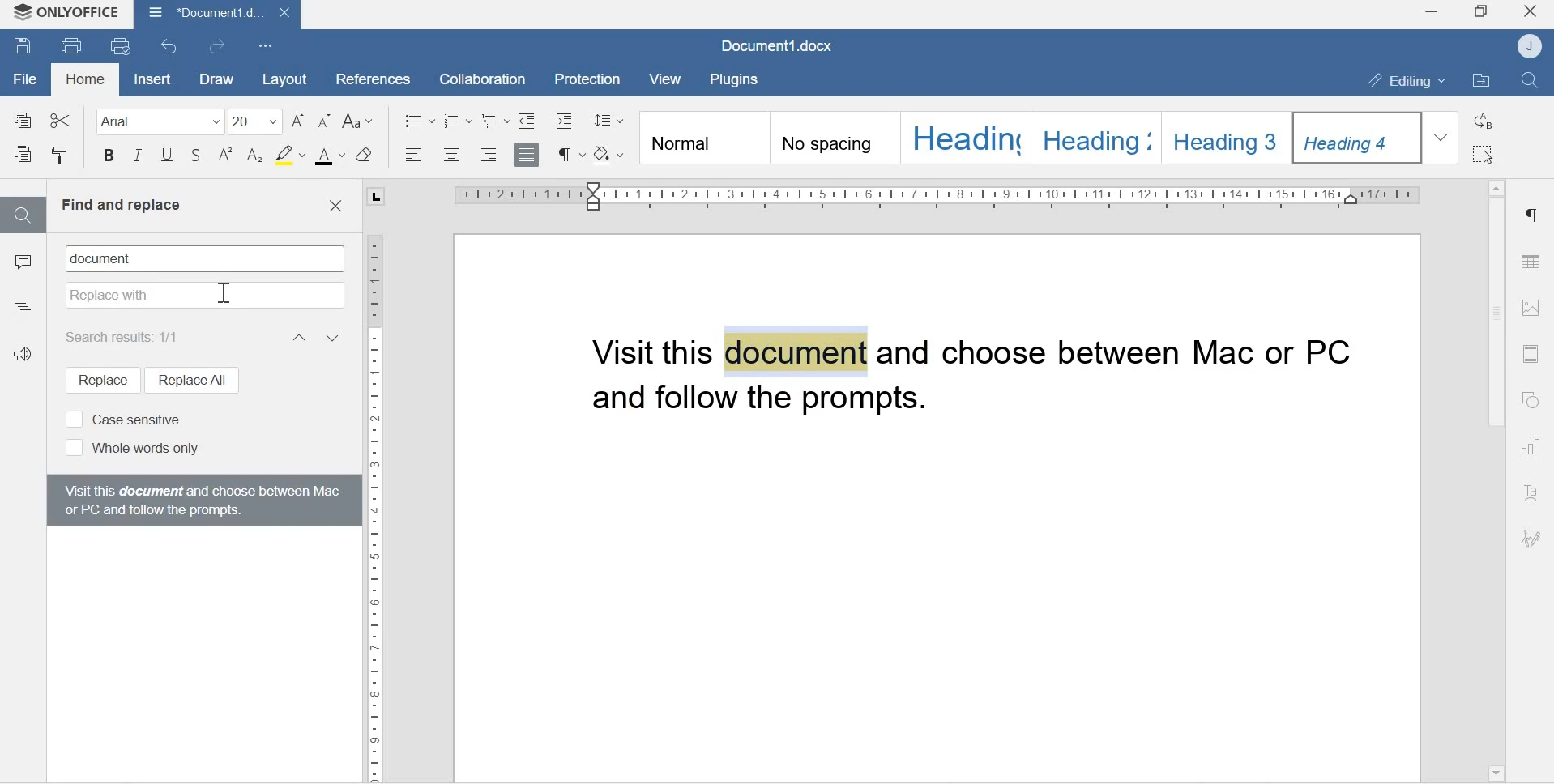 The height and width of the screenshot is (784, 1554). Describe the element at coordinates (365, 155) in the screenshot. I see `Clear style` at that location.